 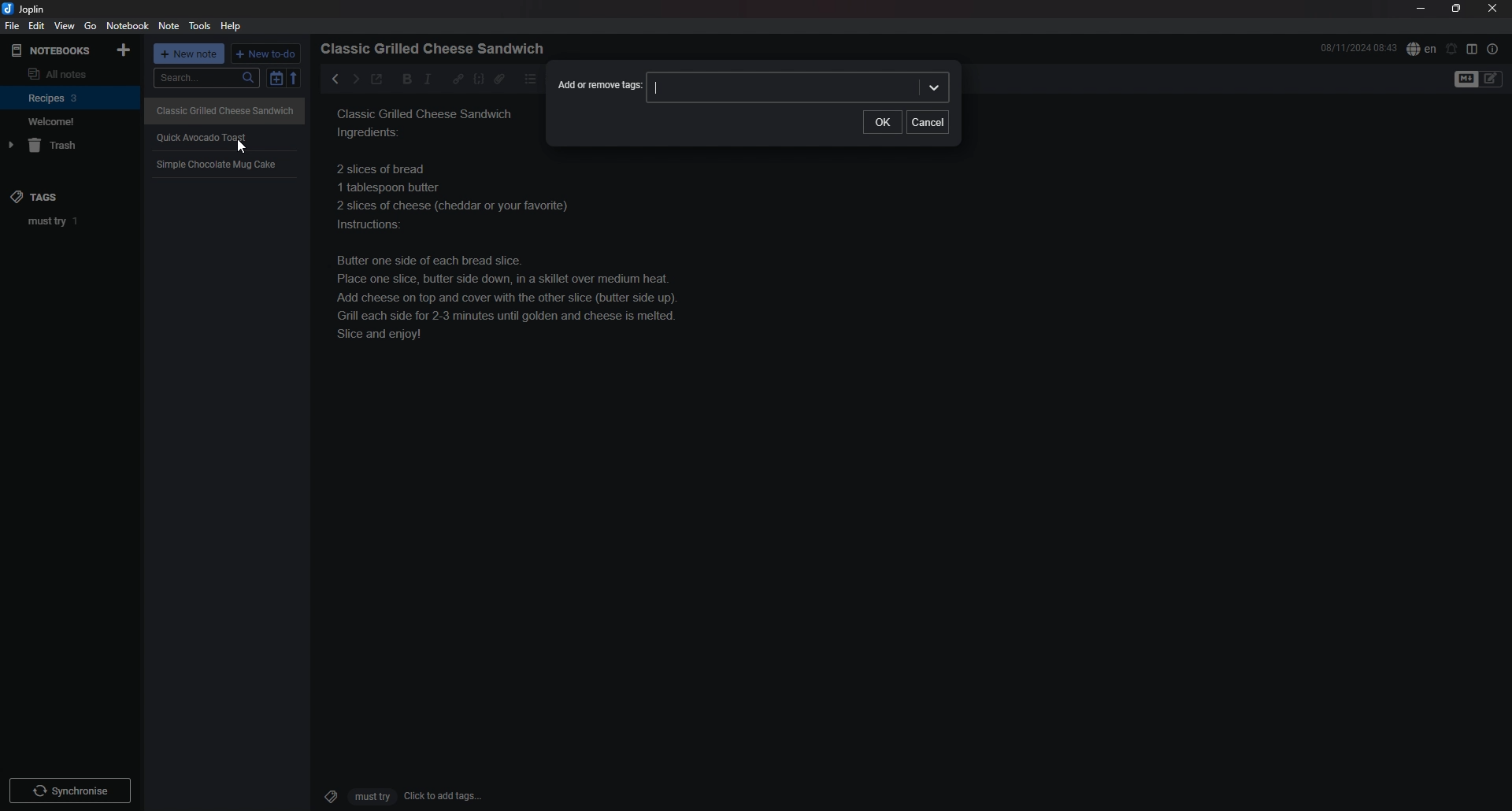 I want to click on Help, so click(x=232, y=25).